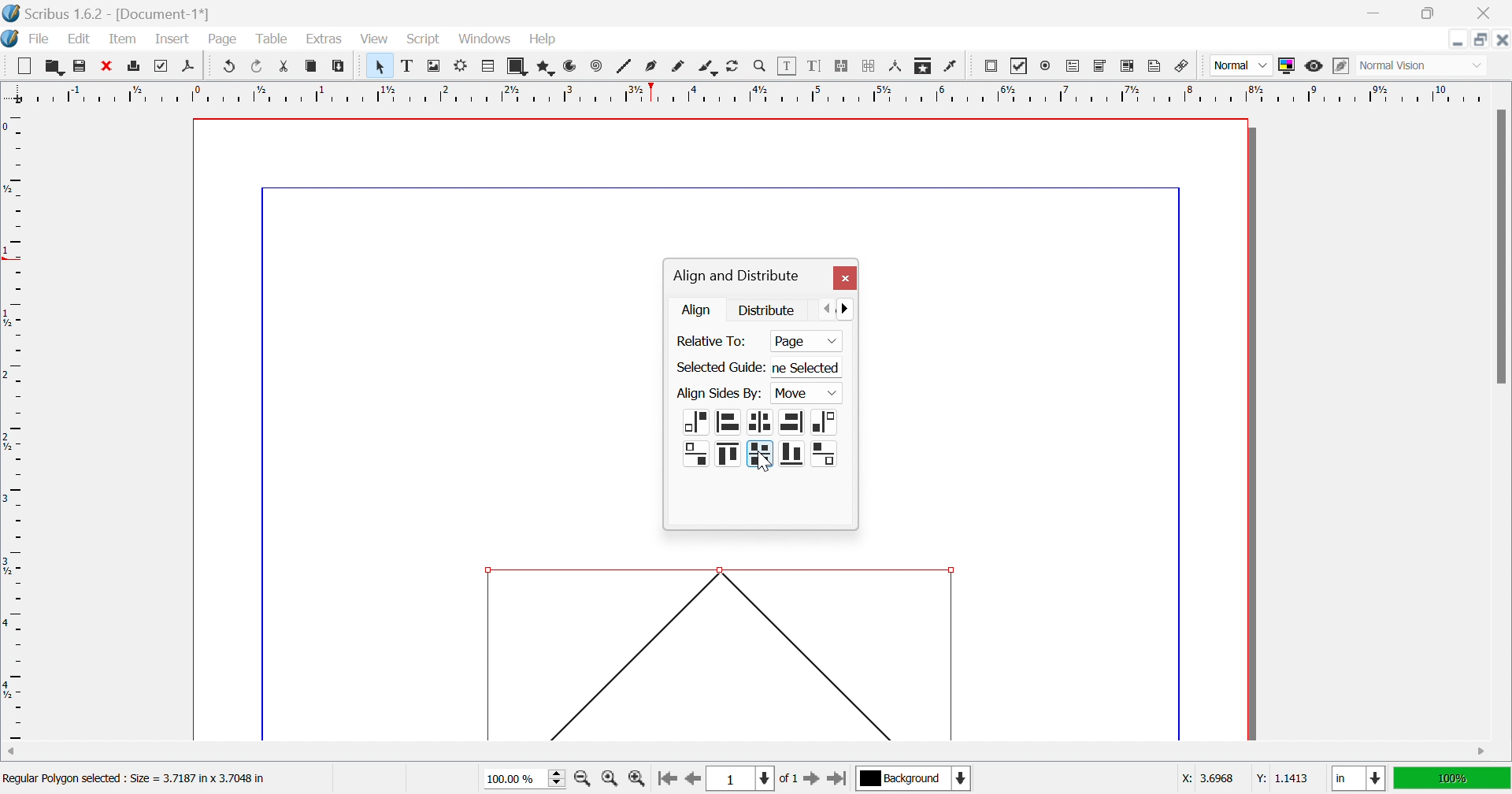 This screenshot has height=794, width=1512. Describe the element at coordinates (1182, 68) in the screenshot. I see `Link Annotation` at that location.